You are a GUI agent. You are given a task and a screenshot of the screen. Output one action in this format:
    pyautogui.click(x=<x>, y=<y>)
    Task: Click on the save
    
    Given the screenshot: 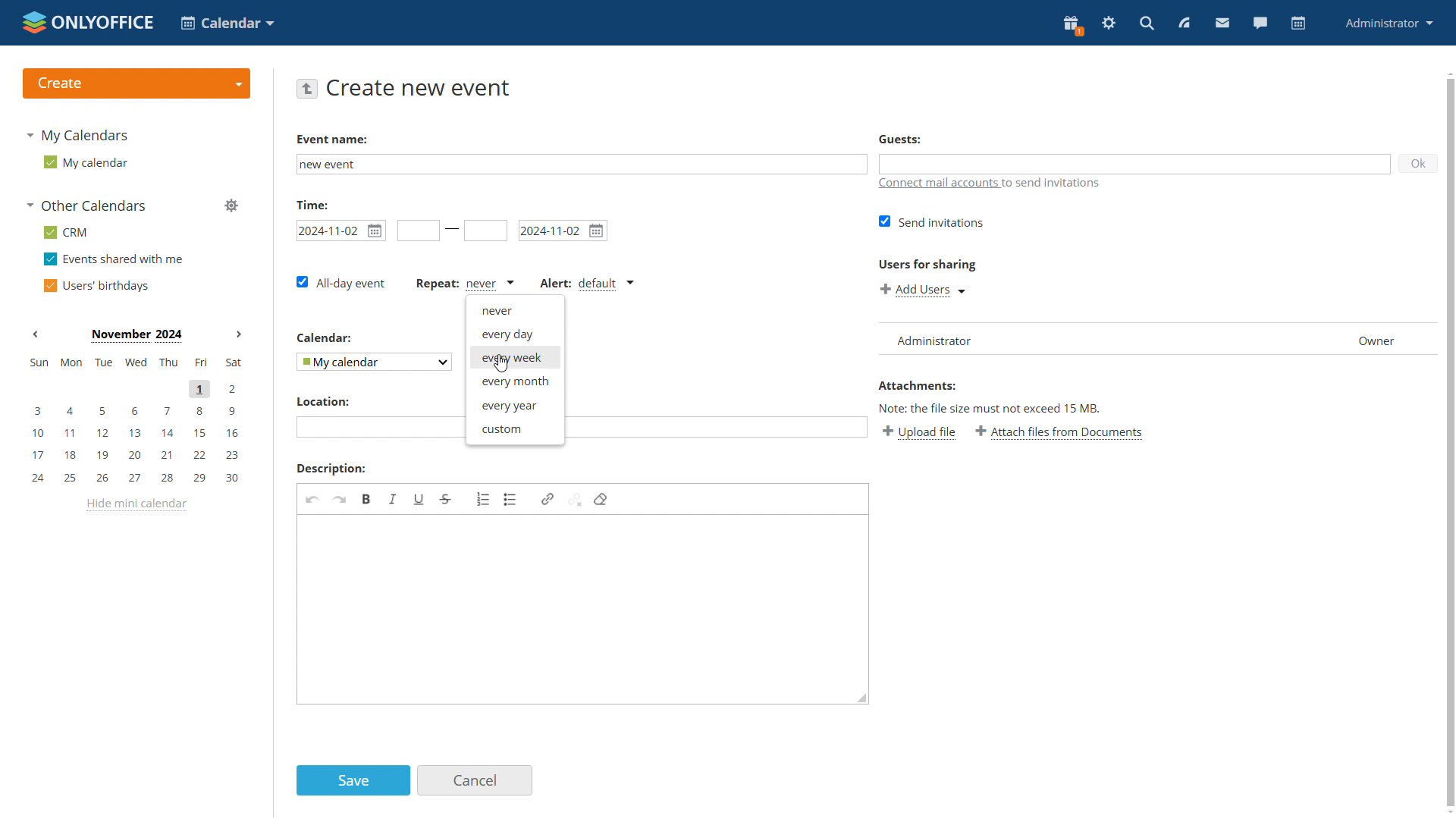 What is the action you would take?
    pyautogui.click(x=353, y=781)
    